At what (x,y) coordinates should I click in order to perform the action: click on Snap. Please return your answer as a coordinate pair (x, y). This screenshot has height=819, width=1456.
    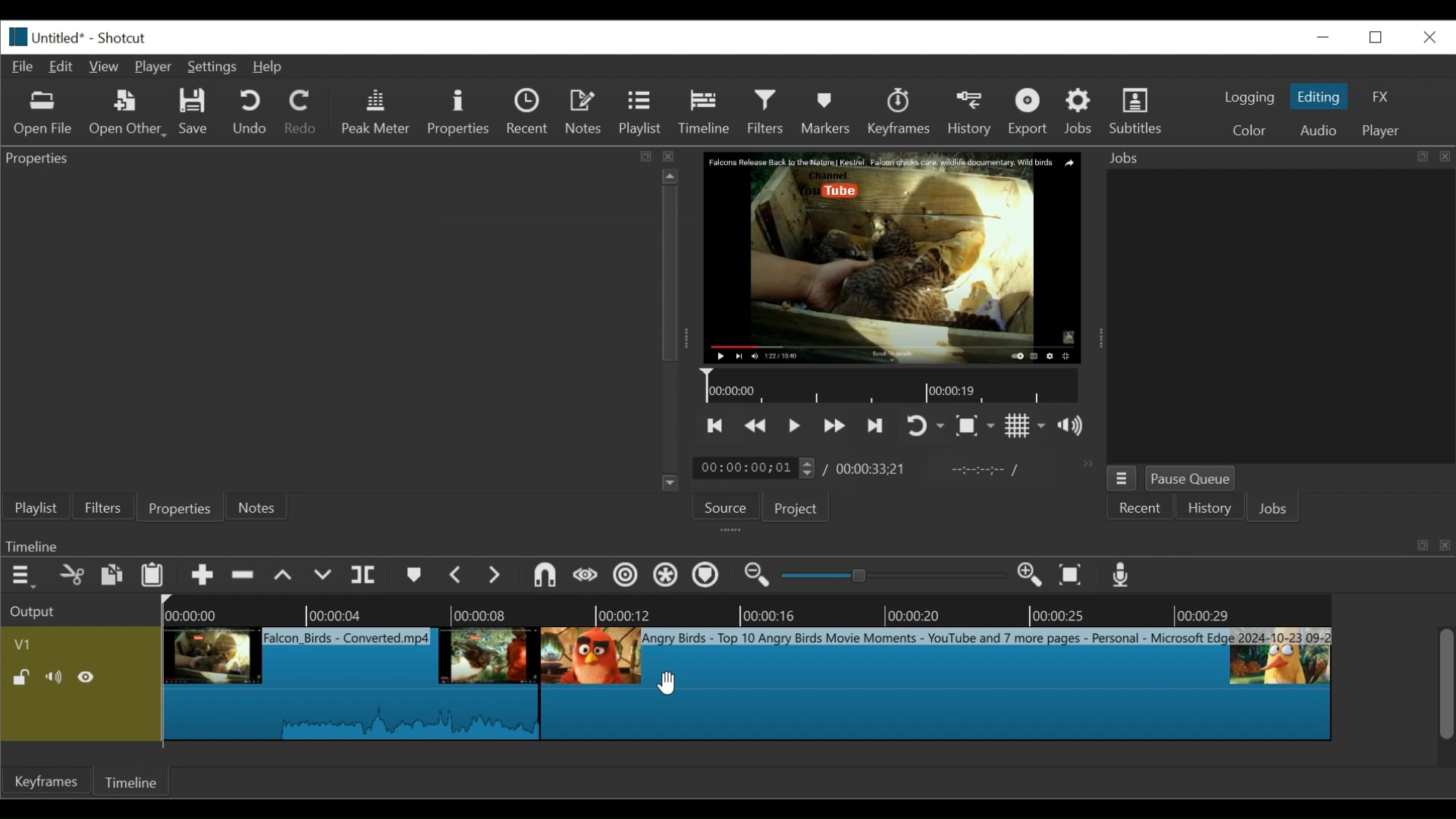
    Looking at the image, I should click on (545, 576).